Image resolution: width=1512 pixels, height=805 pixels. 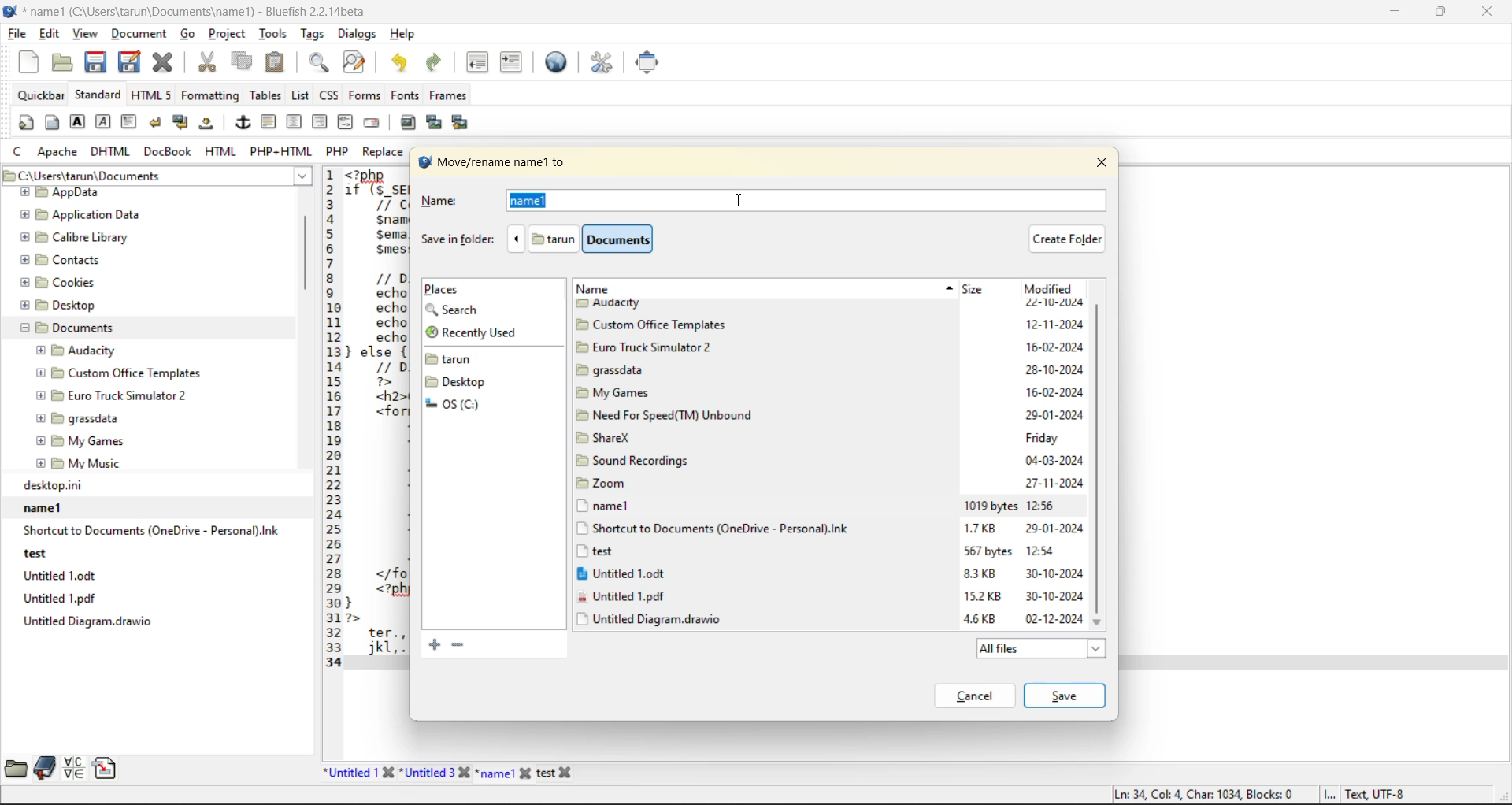 What do you see at coordinates (382, 153) in the screenshot?
I see `replace` at bounding box center [382, 153].